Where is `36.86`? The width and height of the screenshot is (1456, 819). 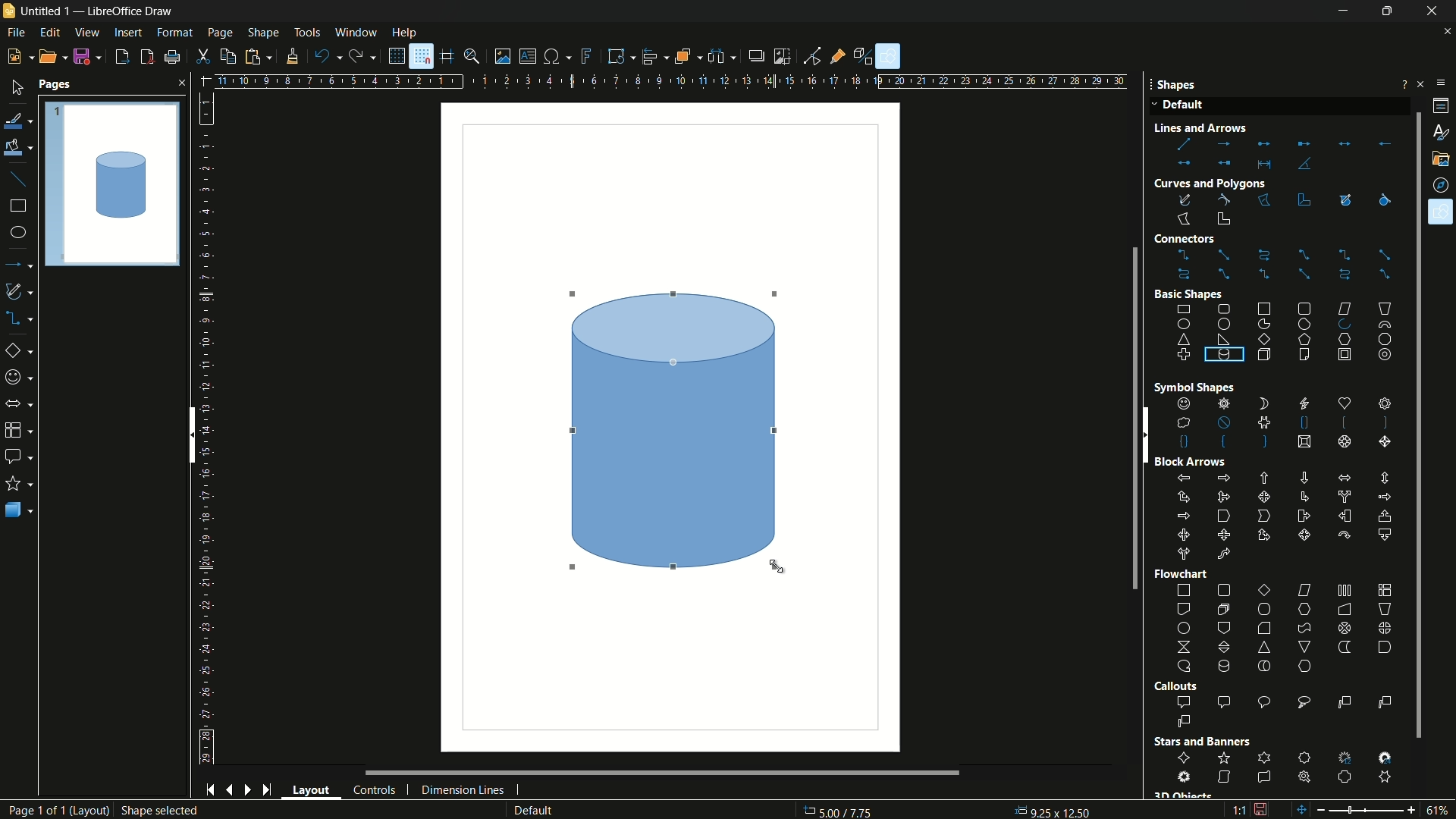 36.86 is located at coordinates (848, 811).